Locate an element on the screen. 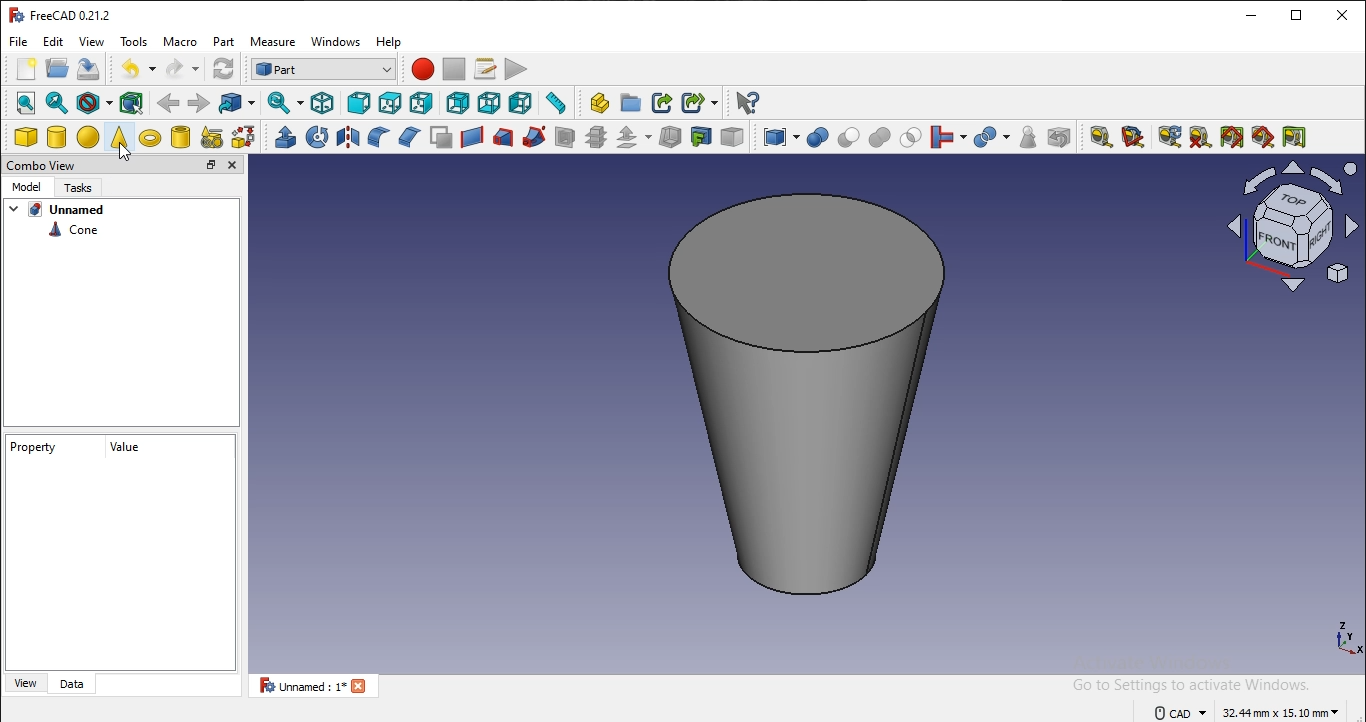 The image size is (1366, 722).  is located at coordinates (778, 136).